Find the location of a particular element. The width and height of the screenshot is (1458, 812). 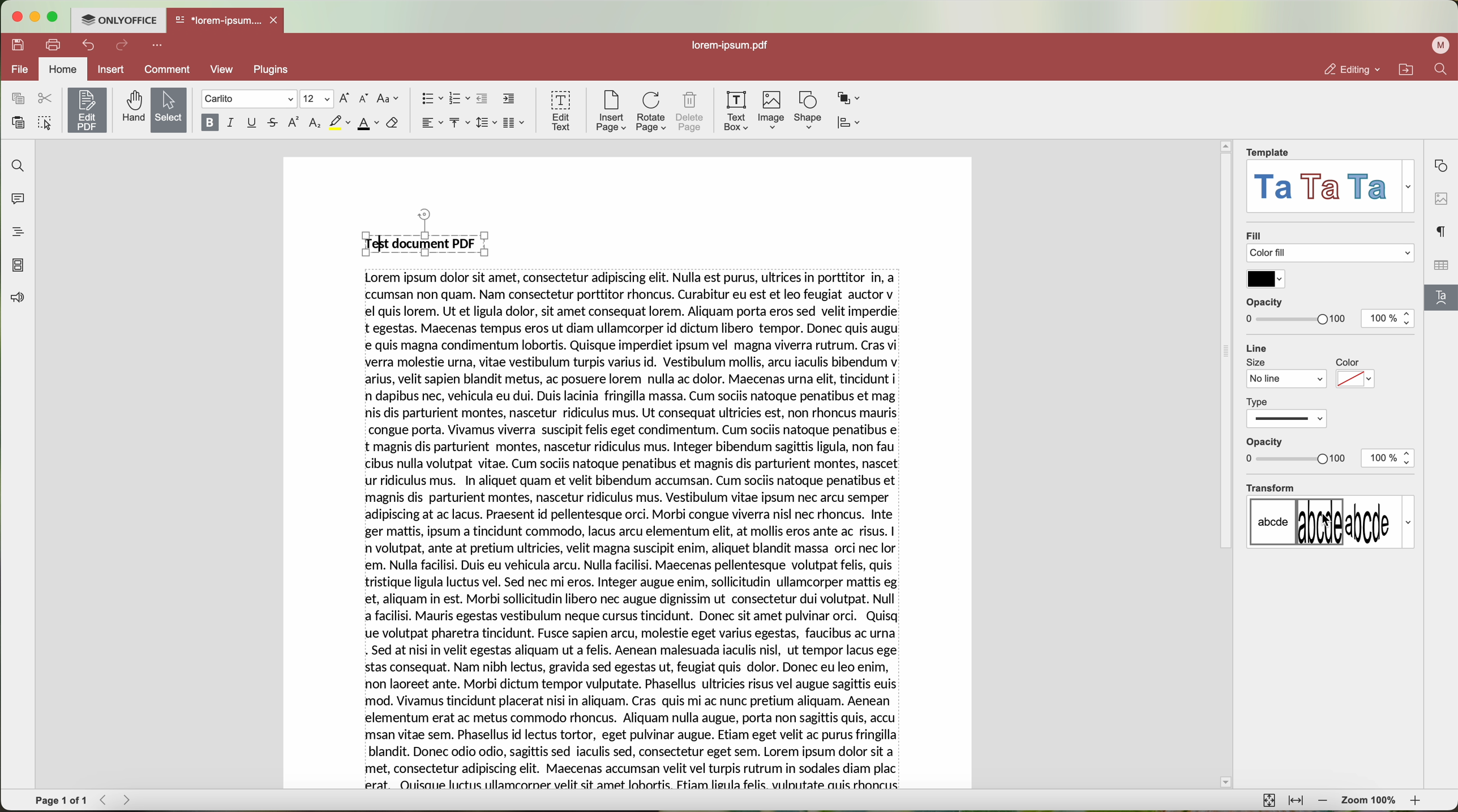

opacity is located at coordinates (1296, 451).